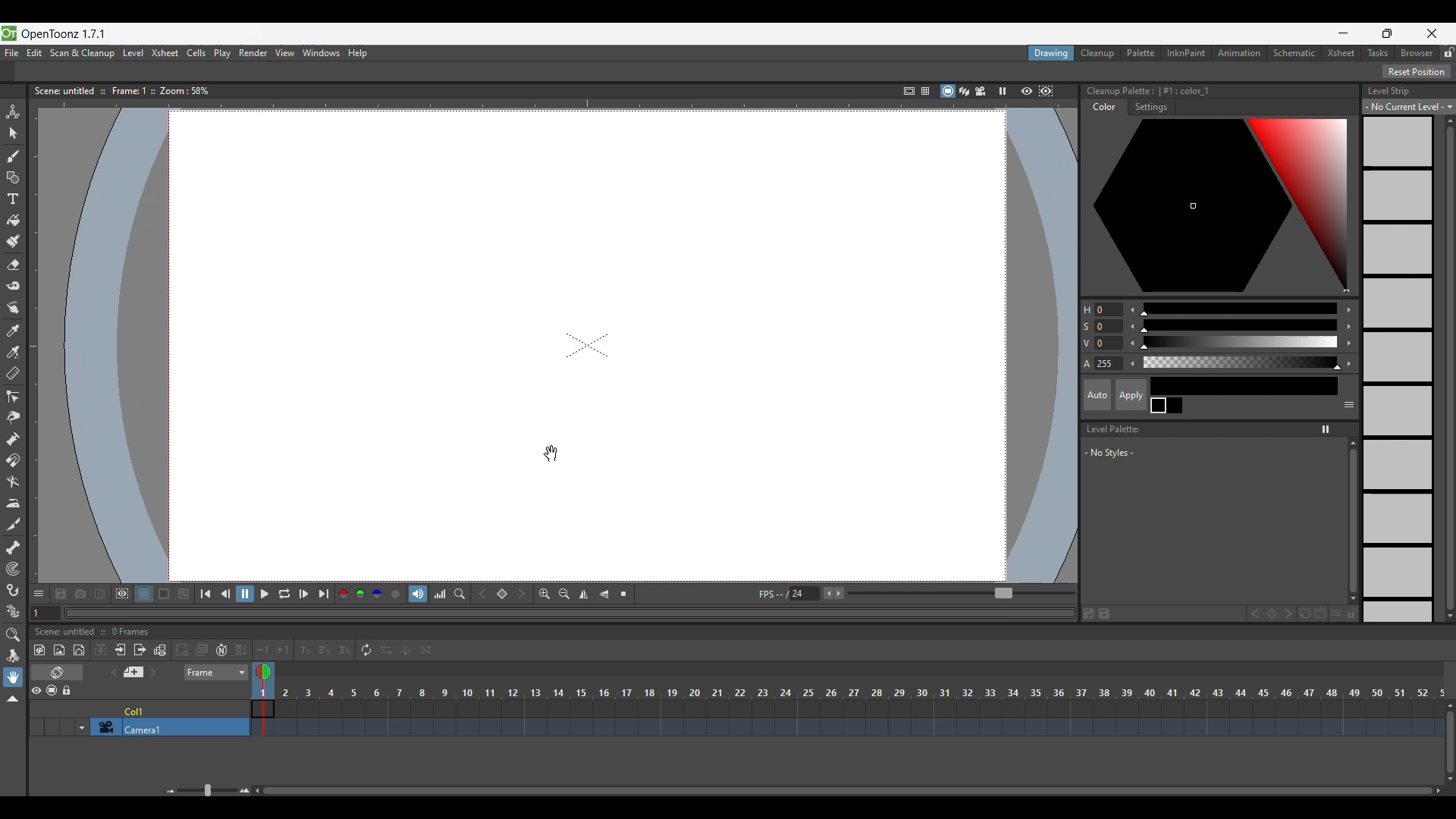 The image size is (1456, 819). I want to click on Slider to increase/decrease frames per second, so click(962, 593).